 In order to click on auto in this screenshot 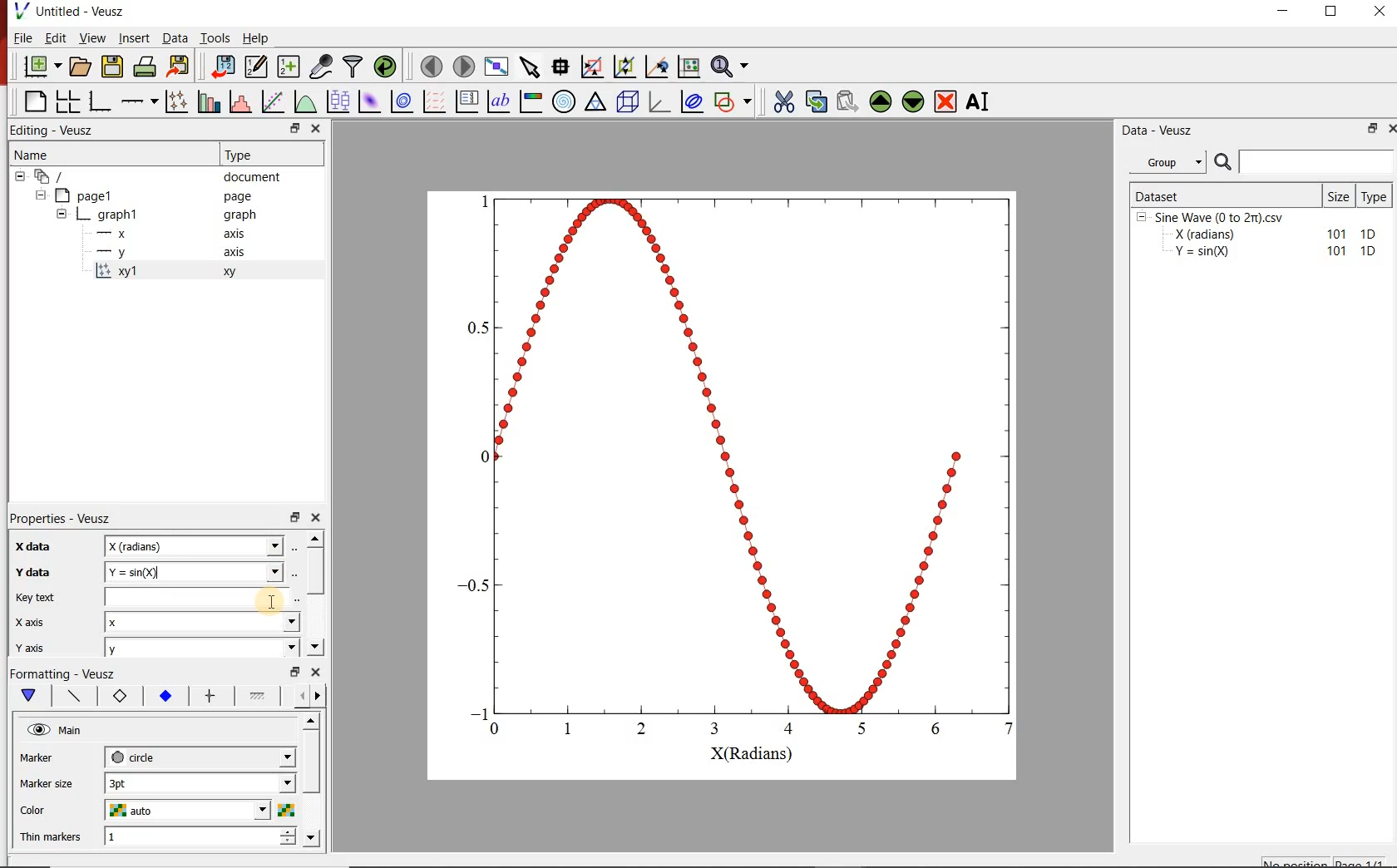, I will do `click(200, 811)`.